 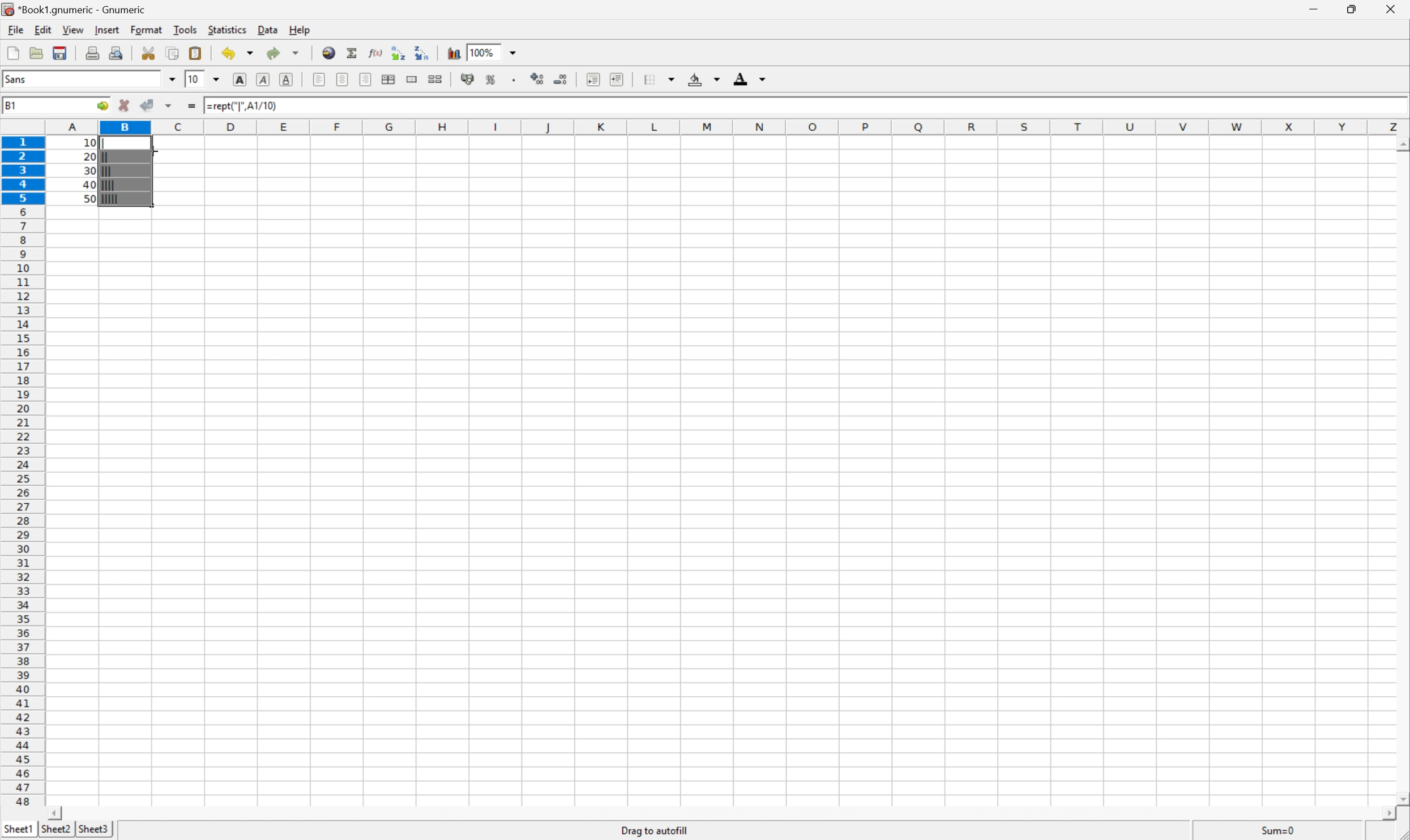 What do you see at coordinates (655, 830) in the screenshot?
I see `Drag to autofill` at bounding box center [655, 830].